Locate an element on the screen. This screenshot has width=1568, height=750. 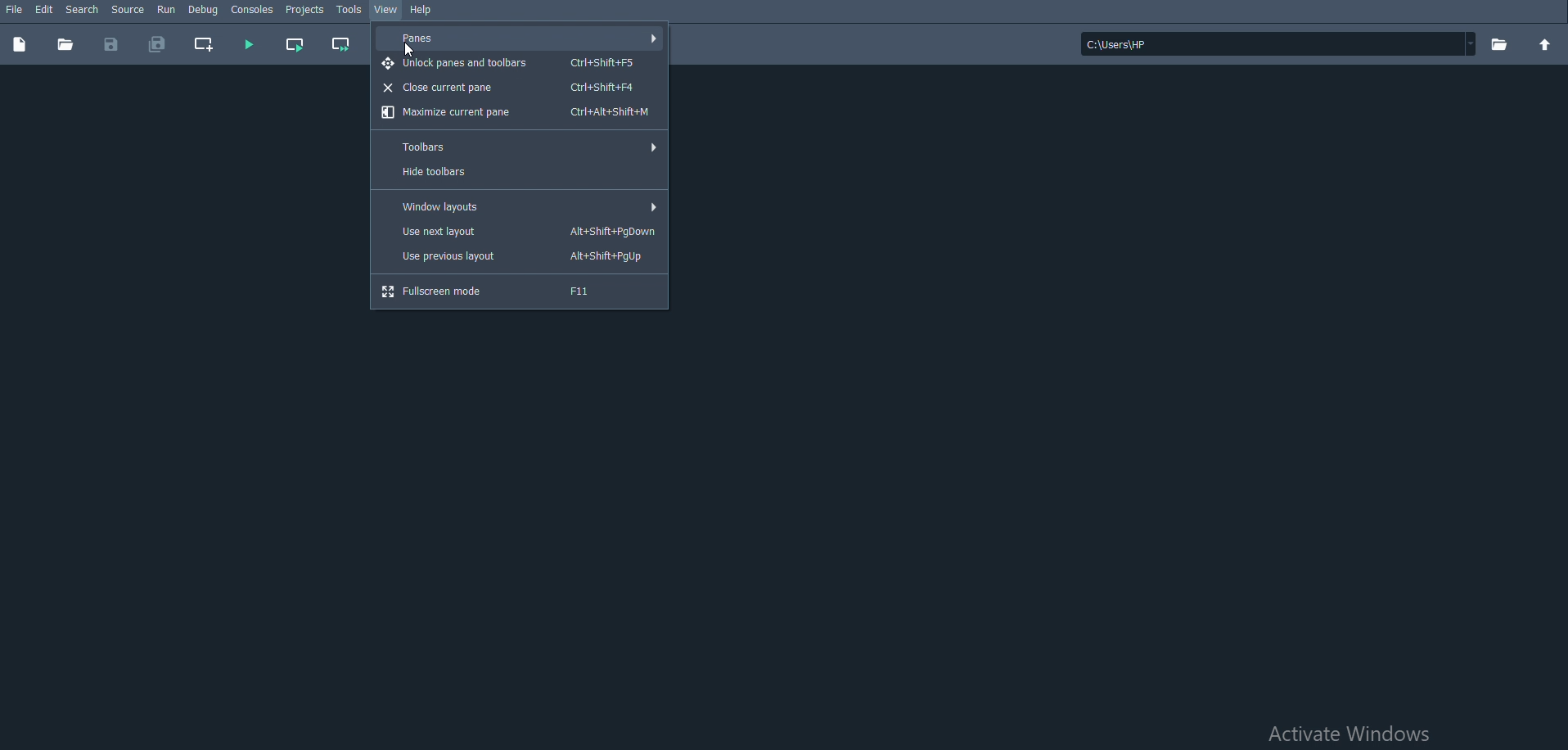
Save file is located at coordinates (115, 43).